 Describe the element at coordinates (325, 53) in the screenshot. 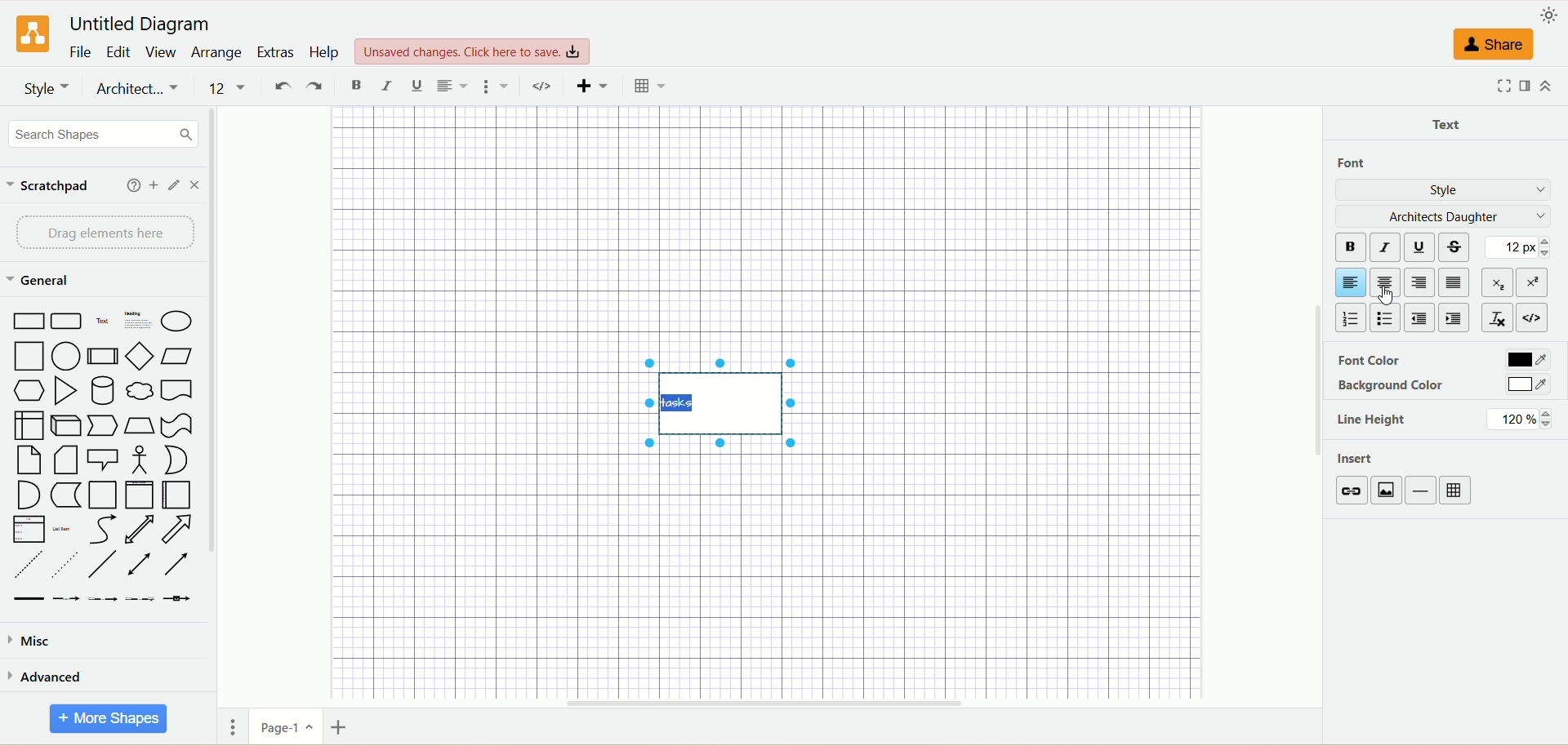

I see `help` at that location.